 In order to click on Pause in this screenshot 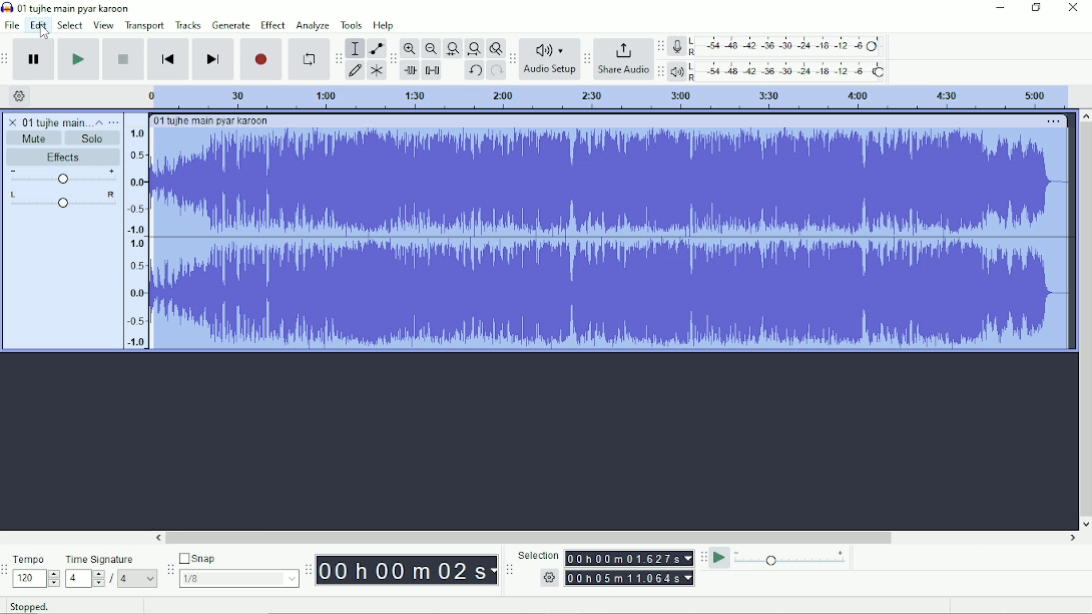, I will do `click(36, 59)`.